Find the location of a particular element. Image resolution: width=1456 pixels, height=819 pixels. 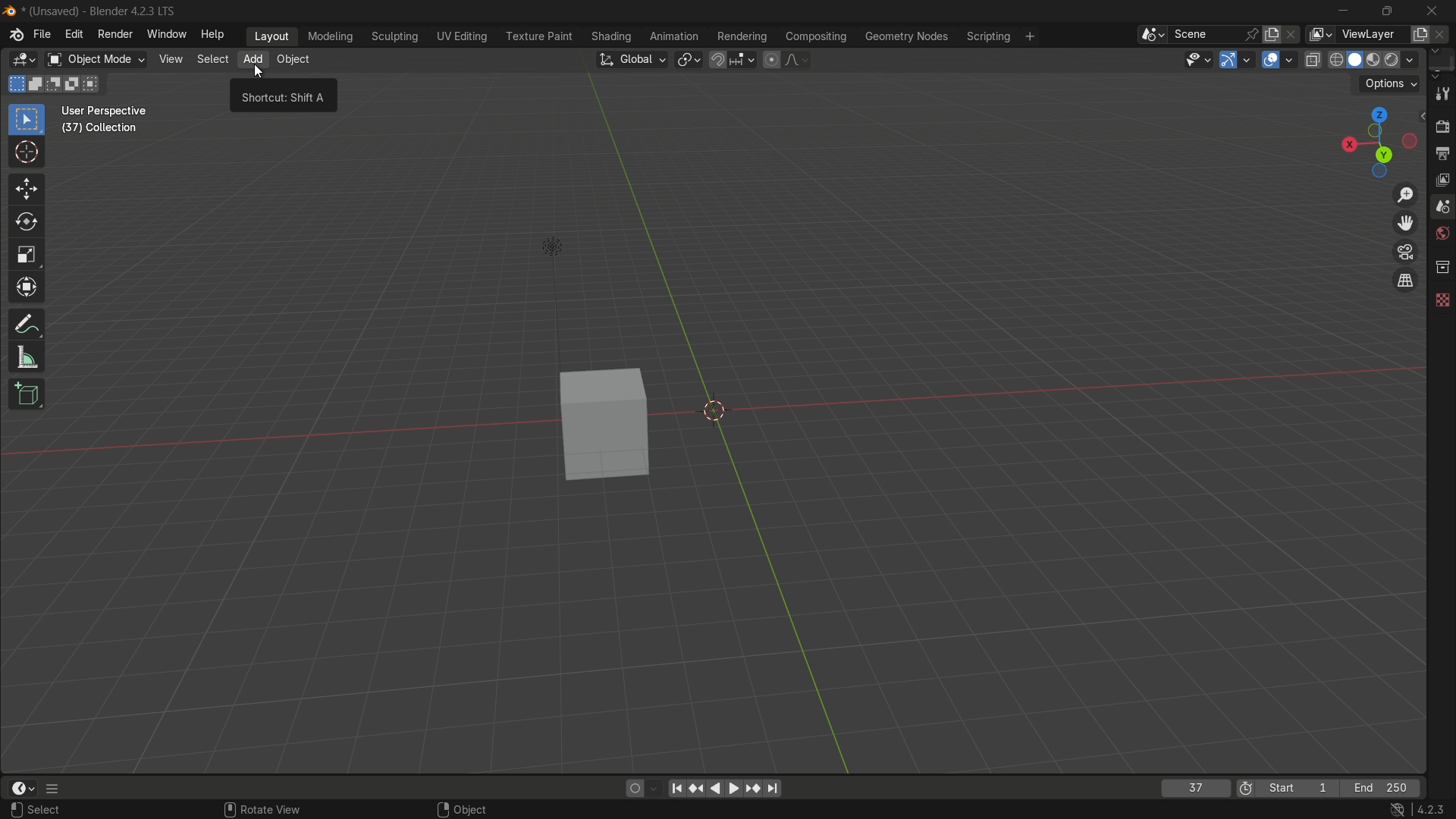

view layer is located at coordinates (1439, 180).